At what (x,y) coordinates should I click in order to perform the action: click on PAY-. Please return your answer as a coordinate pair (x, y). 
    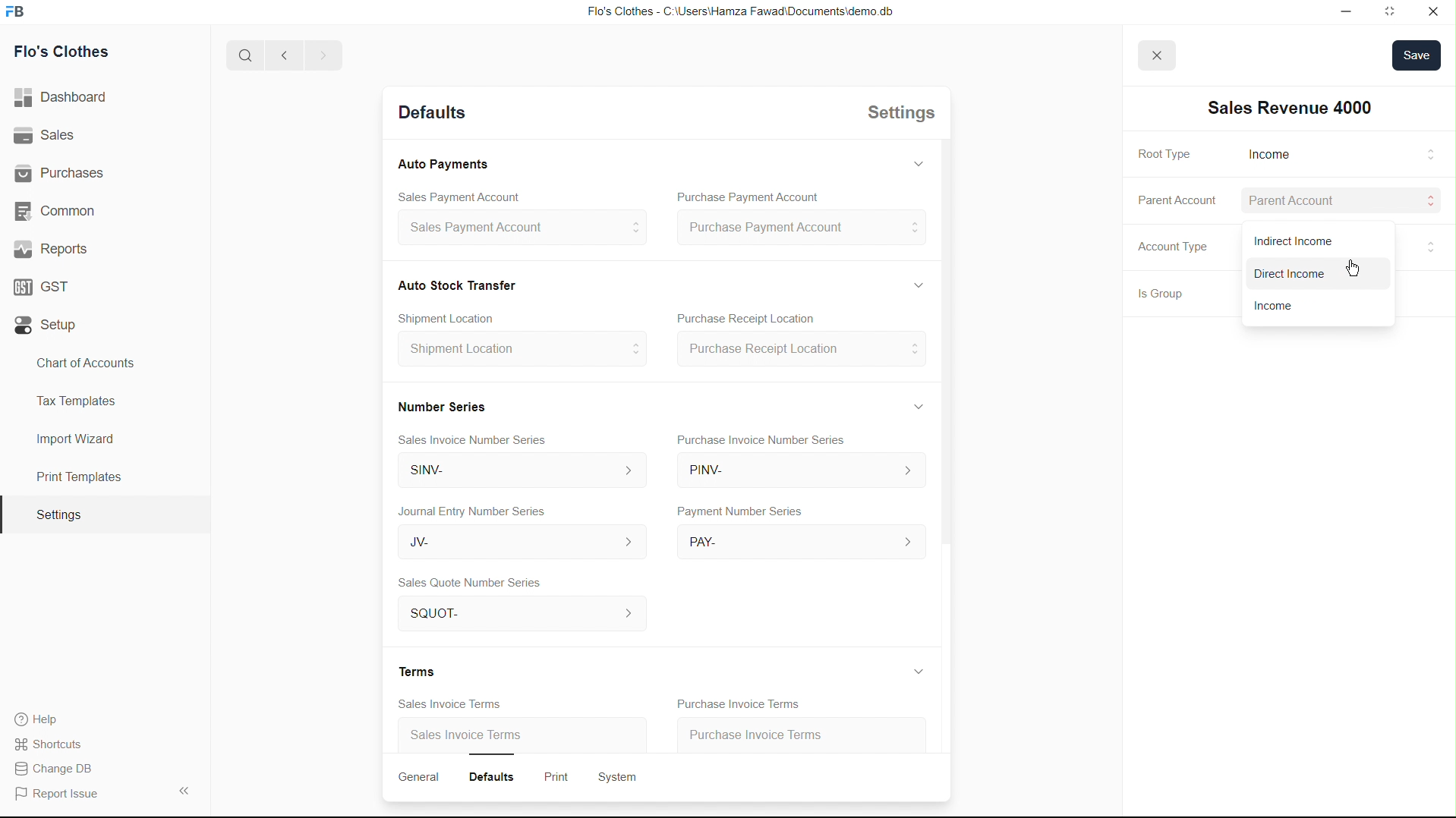
    Looking at the image, I should click on (801, 540).